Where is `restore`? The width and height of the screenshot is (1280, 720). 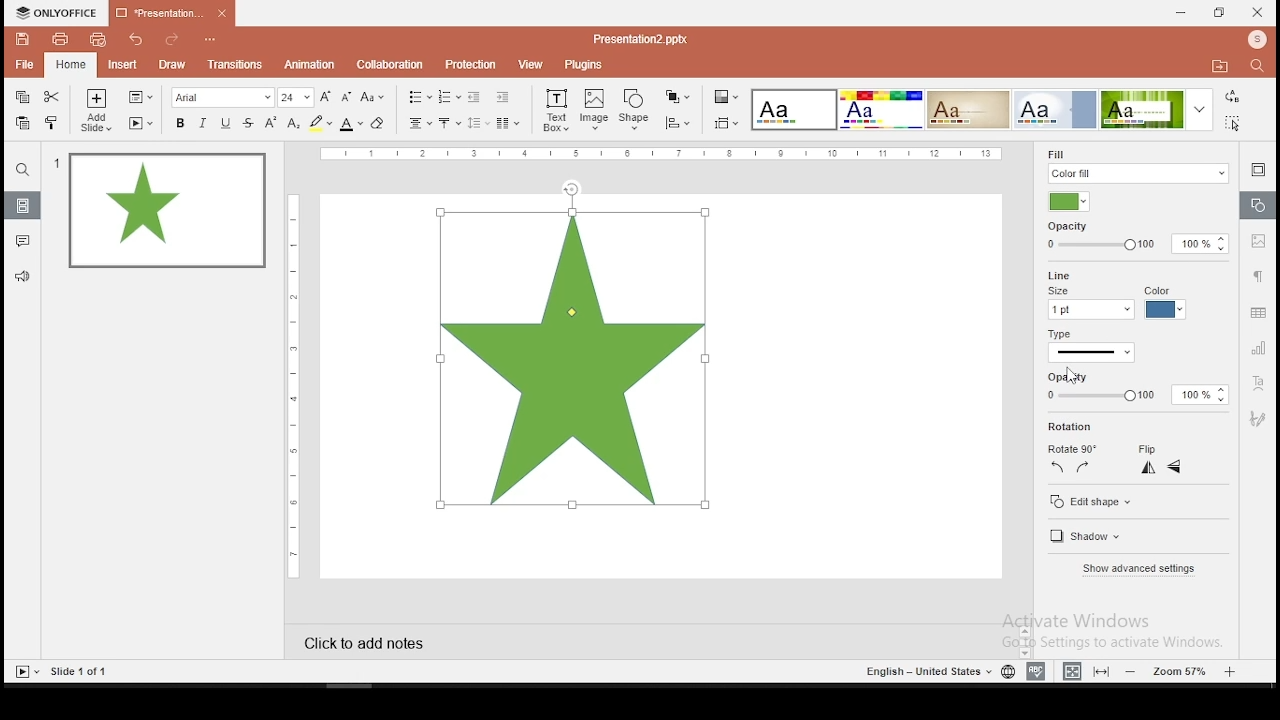
restore is located at coordinates (1220, 13).